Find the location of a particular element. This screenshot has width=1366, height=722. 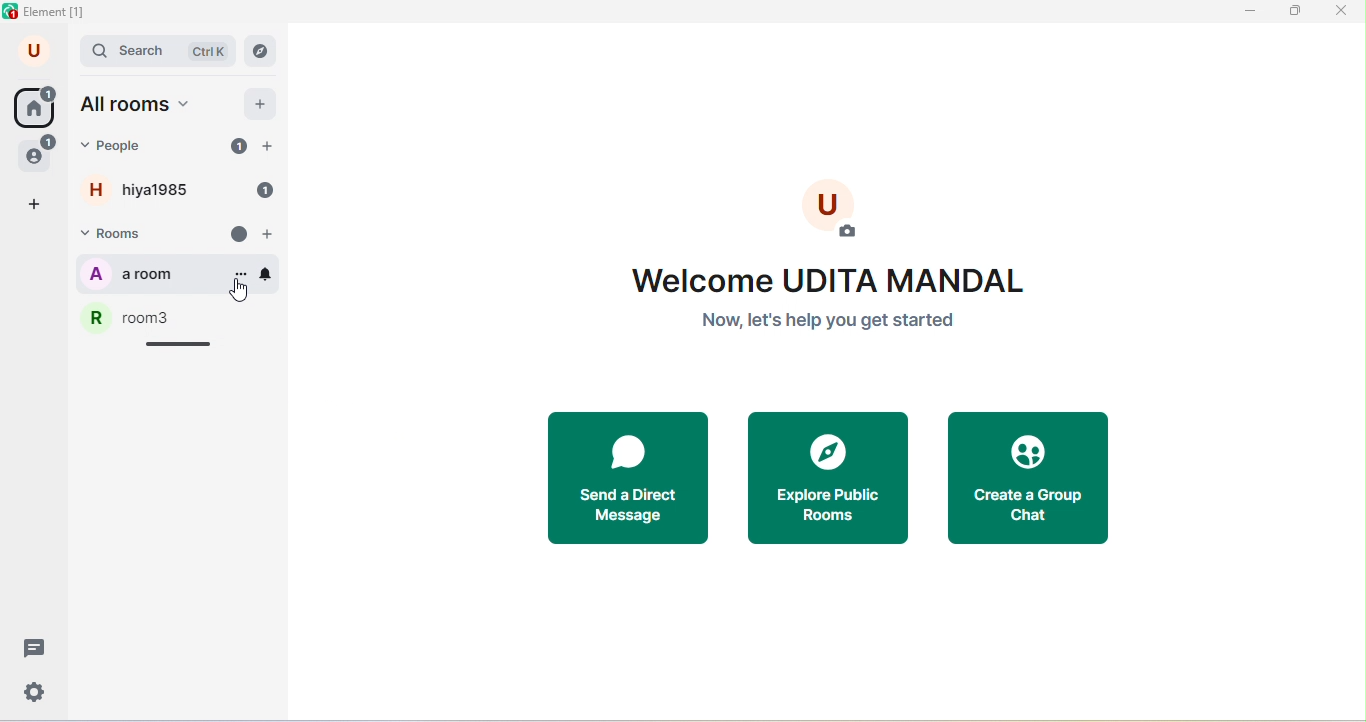

cursor is located at coordinates (240, 288).